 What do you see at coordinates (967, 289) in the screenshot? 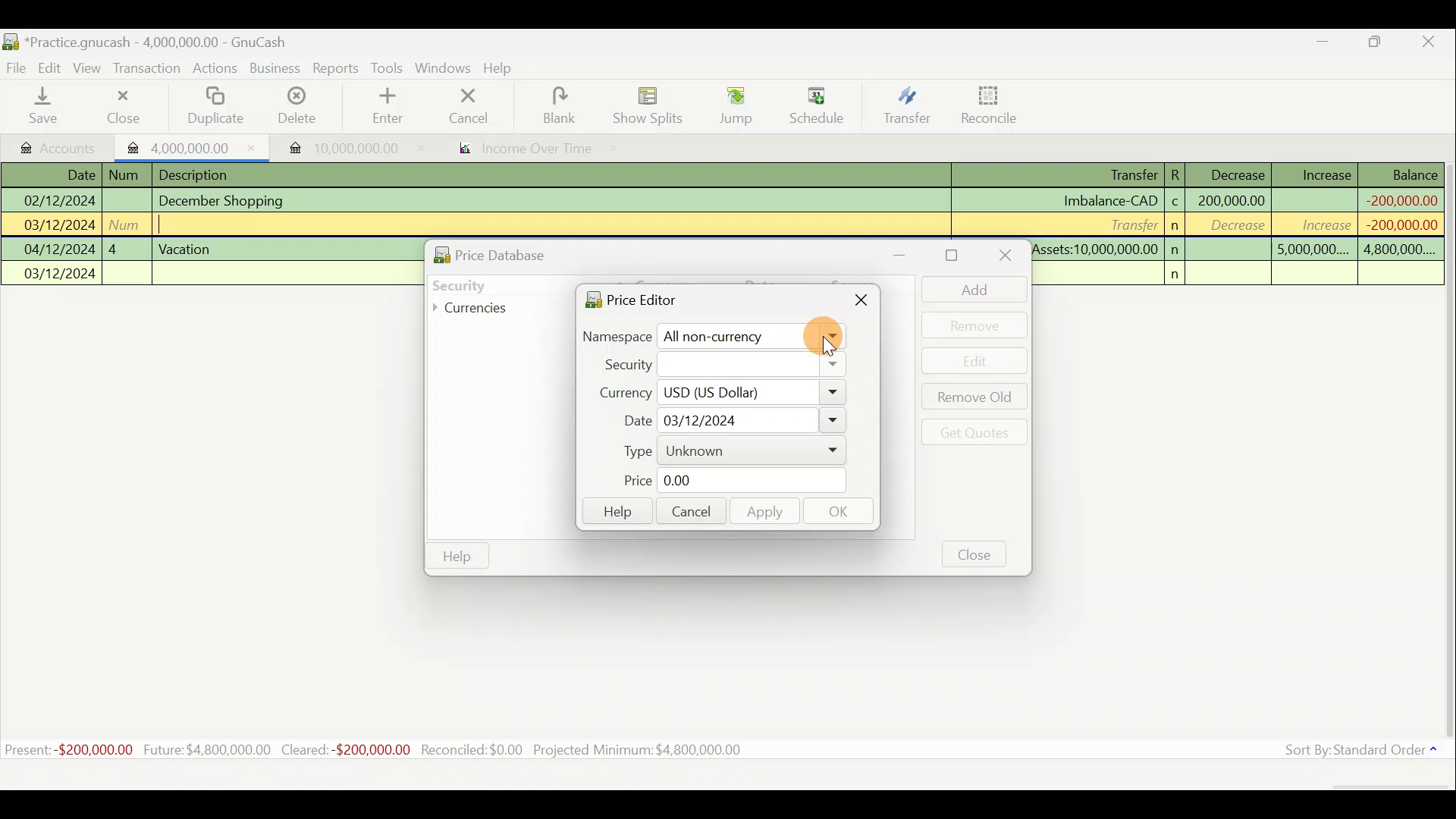
I see `Add` at bounding box center [967, 289].